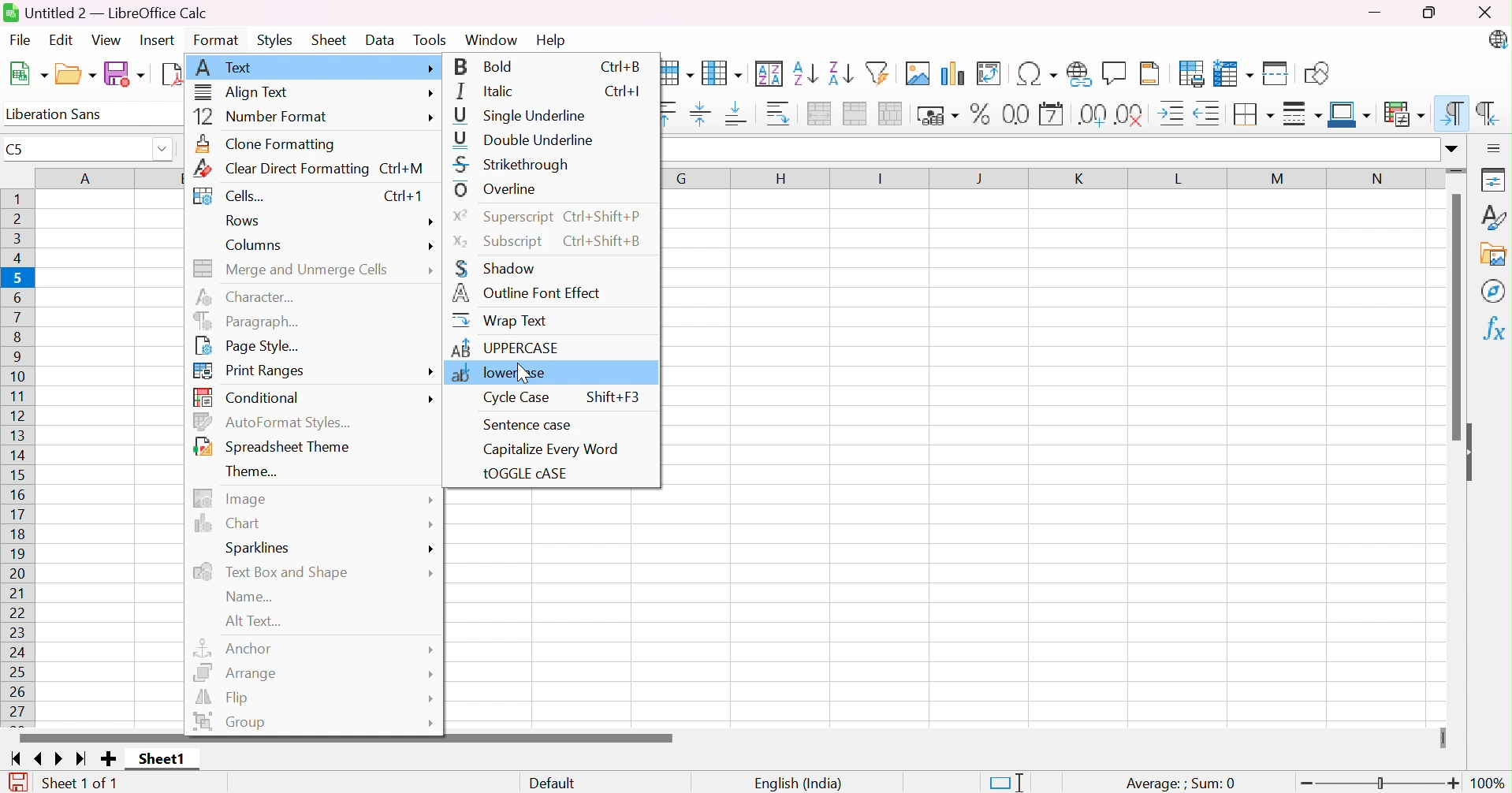  I want to click on More, so click(431, 498).